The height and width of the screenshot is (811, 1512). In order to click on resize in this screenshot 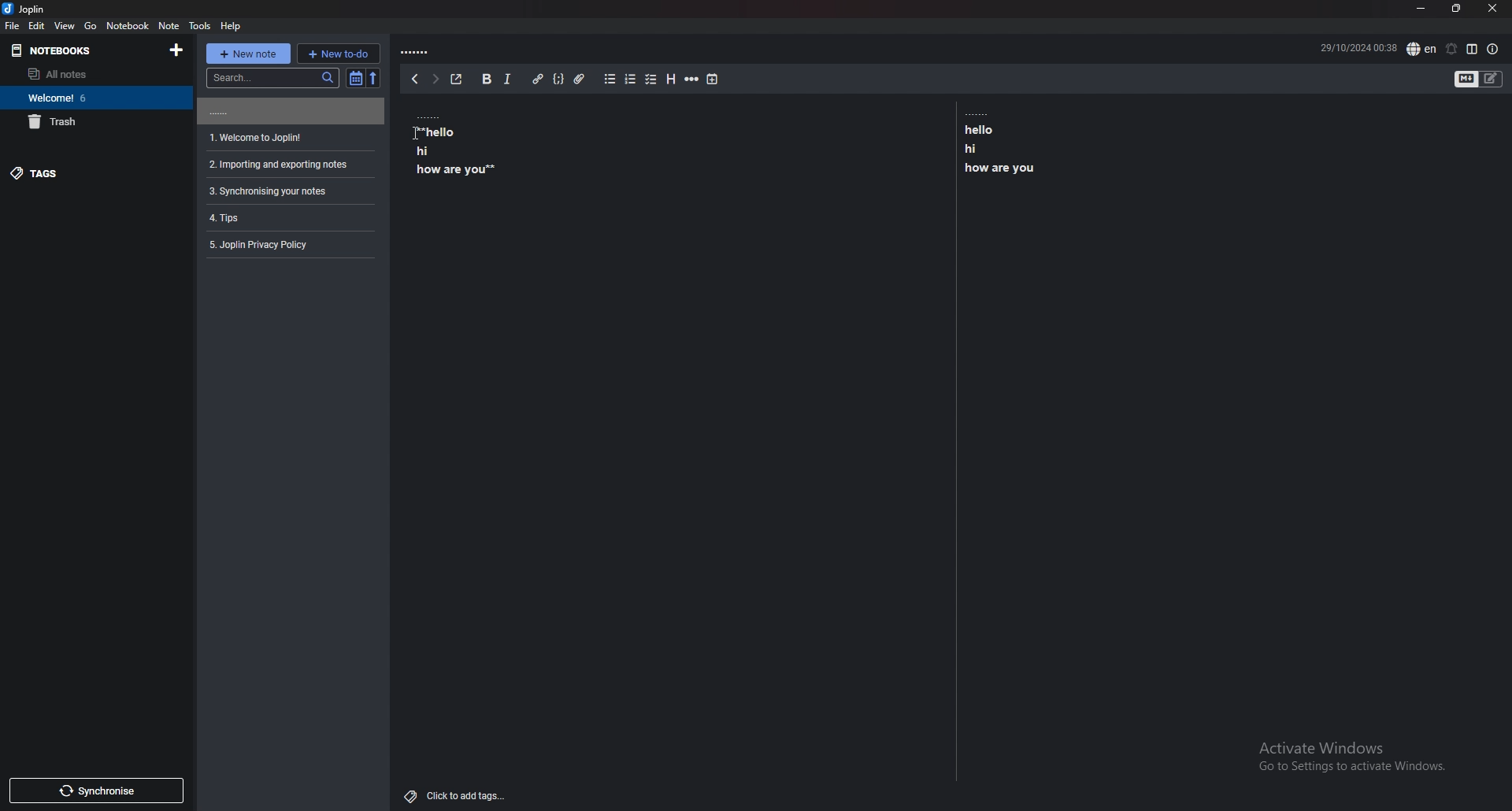, I will do `click(1457, 9)`.